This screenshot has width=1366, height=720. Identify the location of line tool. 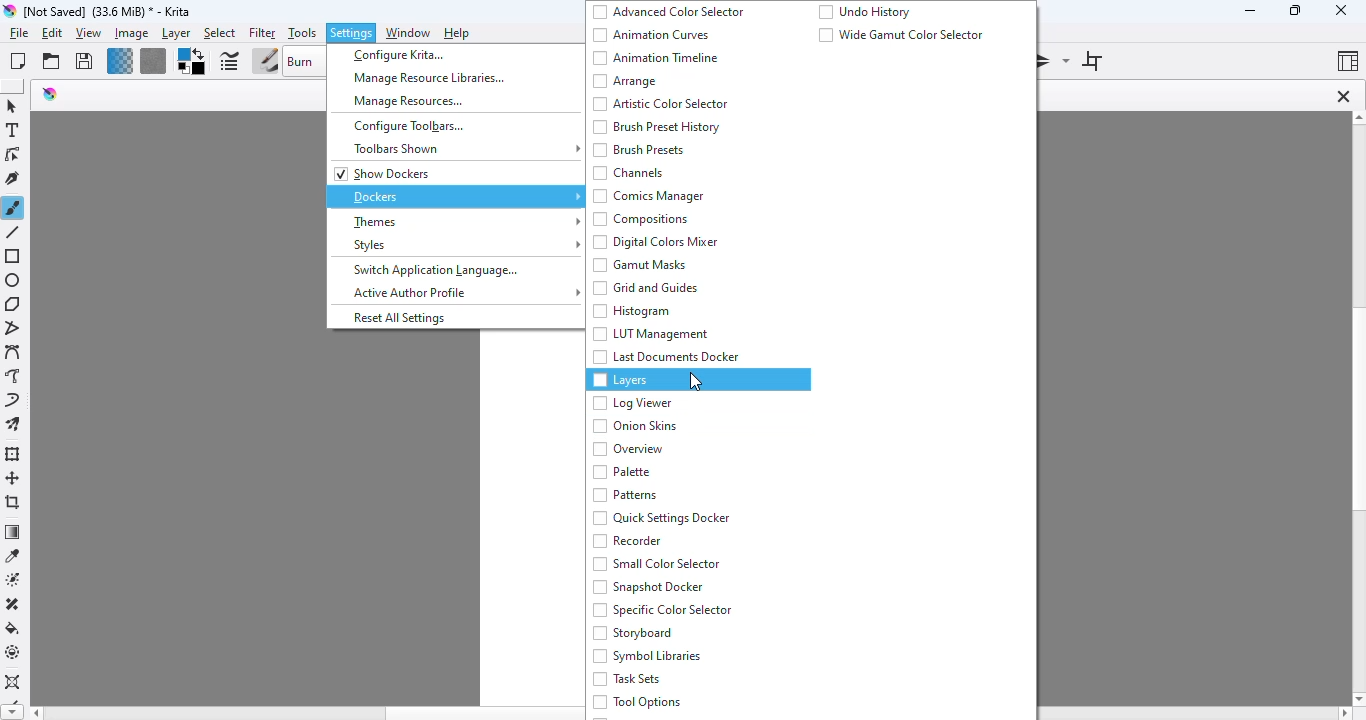
(15, 232).